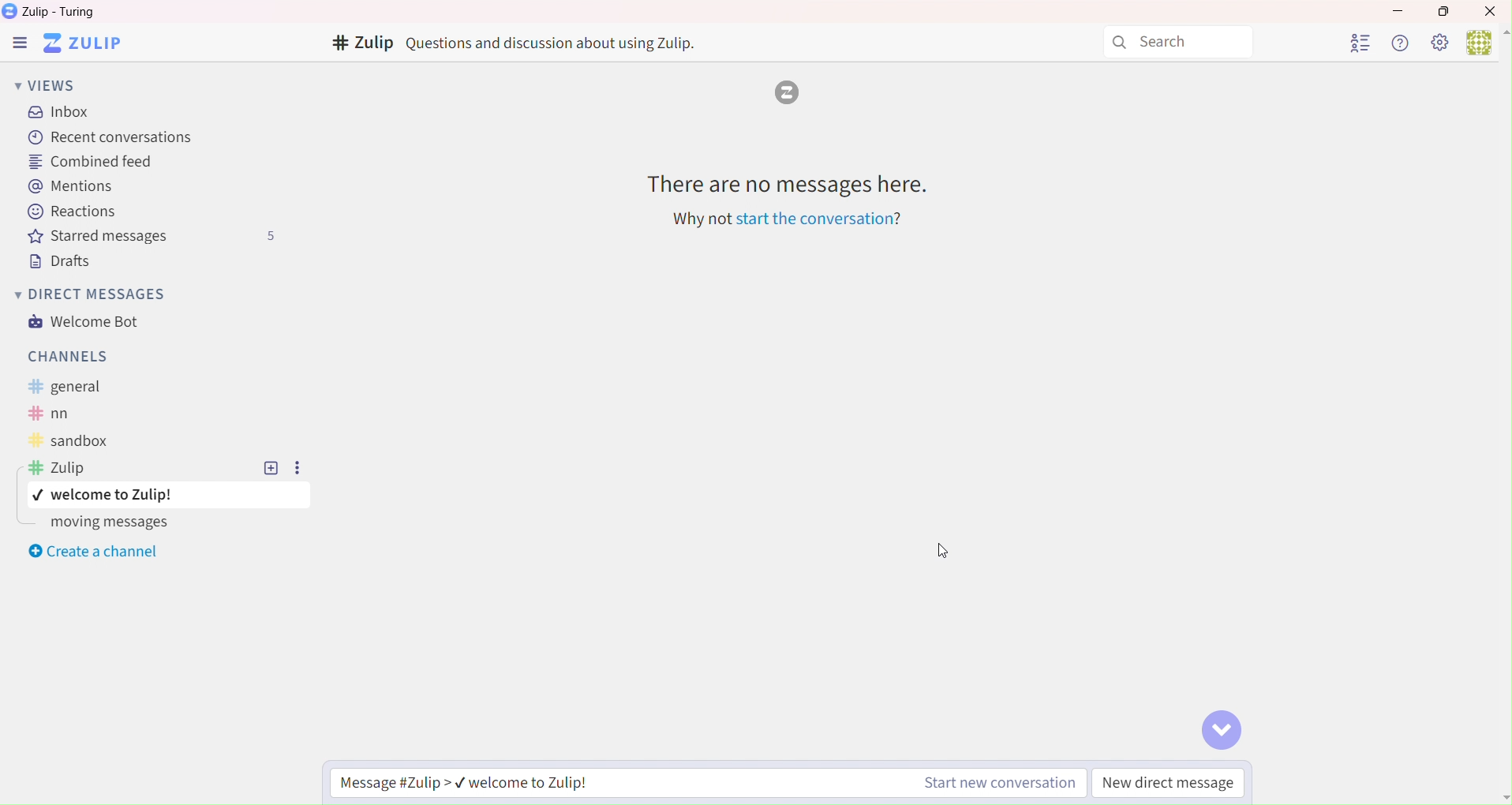 The height and width of the screenshot is (805, 1512). What do you see at coordinates (147, 234) in the screenshot?
I see `Starred messages` at bounding box center [147, 234].